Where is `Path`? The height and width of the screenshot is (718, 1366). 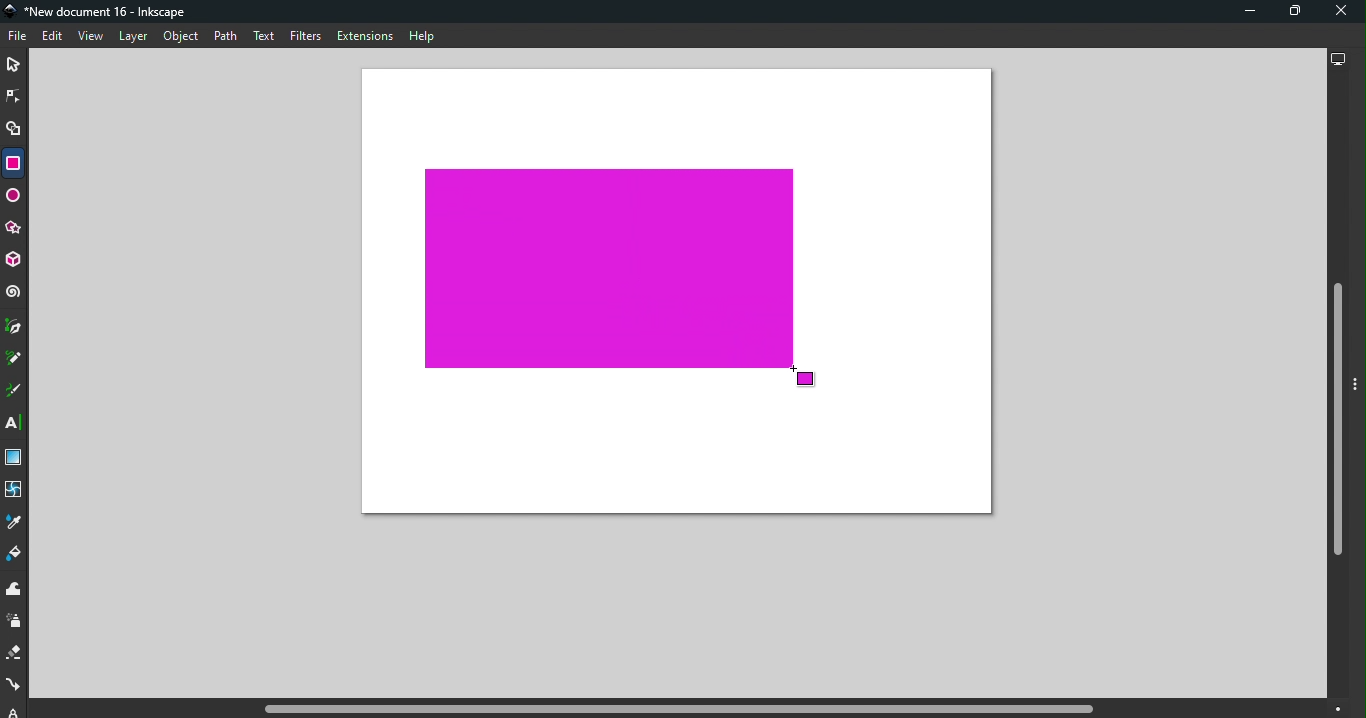 Path is located at coordinates (225, 38).